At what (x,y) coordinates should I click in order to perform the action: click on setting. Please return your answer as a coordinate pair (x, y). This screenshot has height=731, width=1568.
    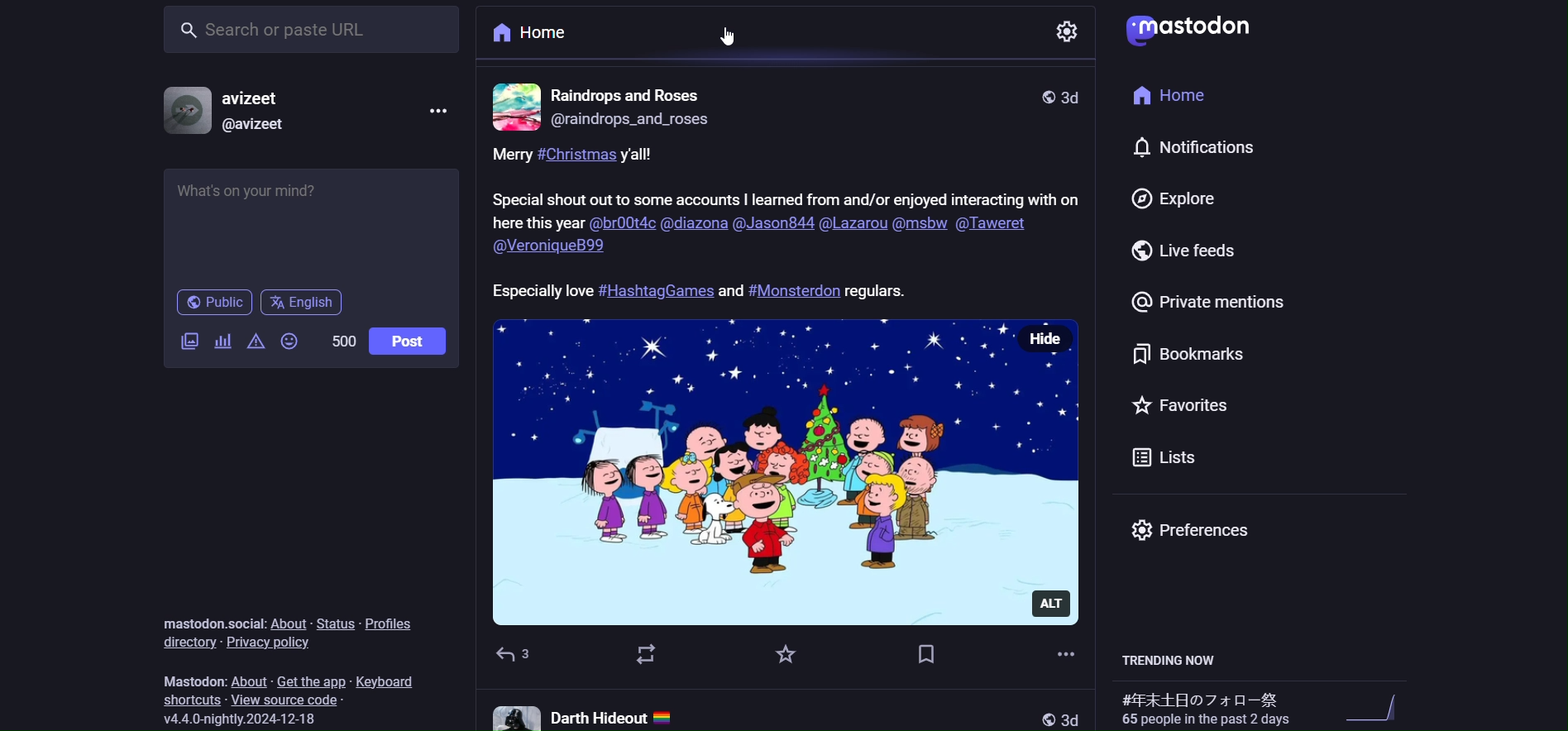
    Looking at the image, I should click on (1068, 34).